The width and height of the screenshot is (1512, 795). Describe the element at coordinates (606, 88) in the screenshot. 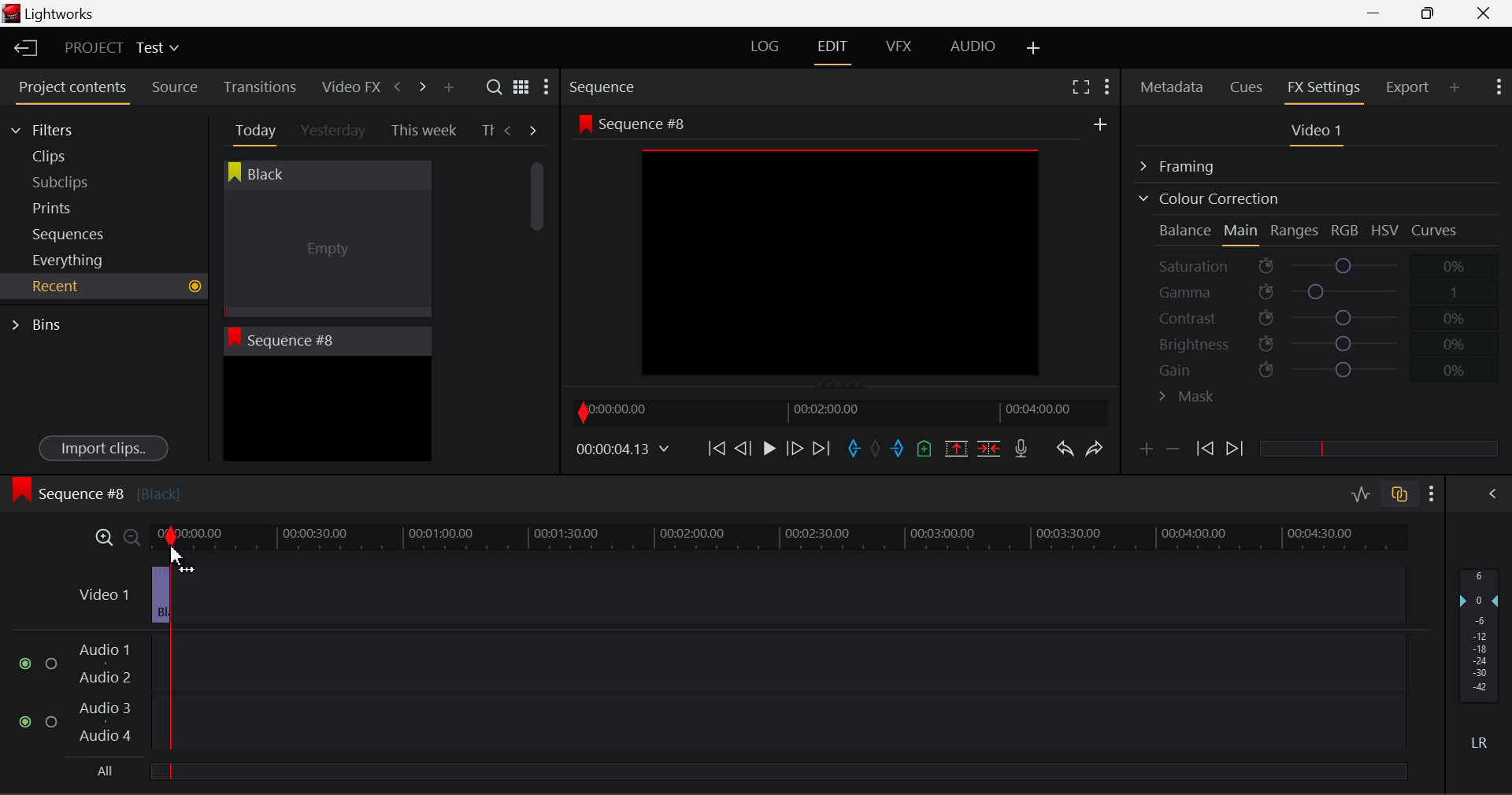

I see `Sequence Preview Section` at that location.